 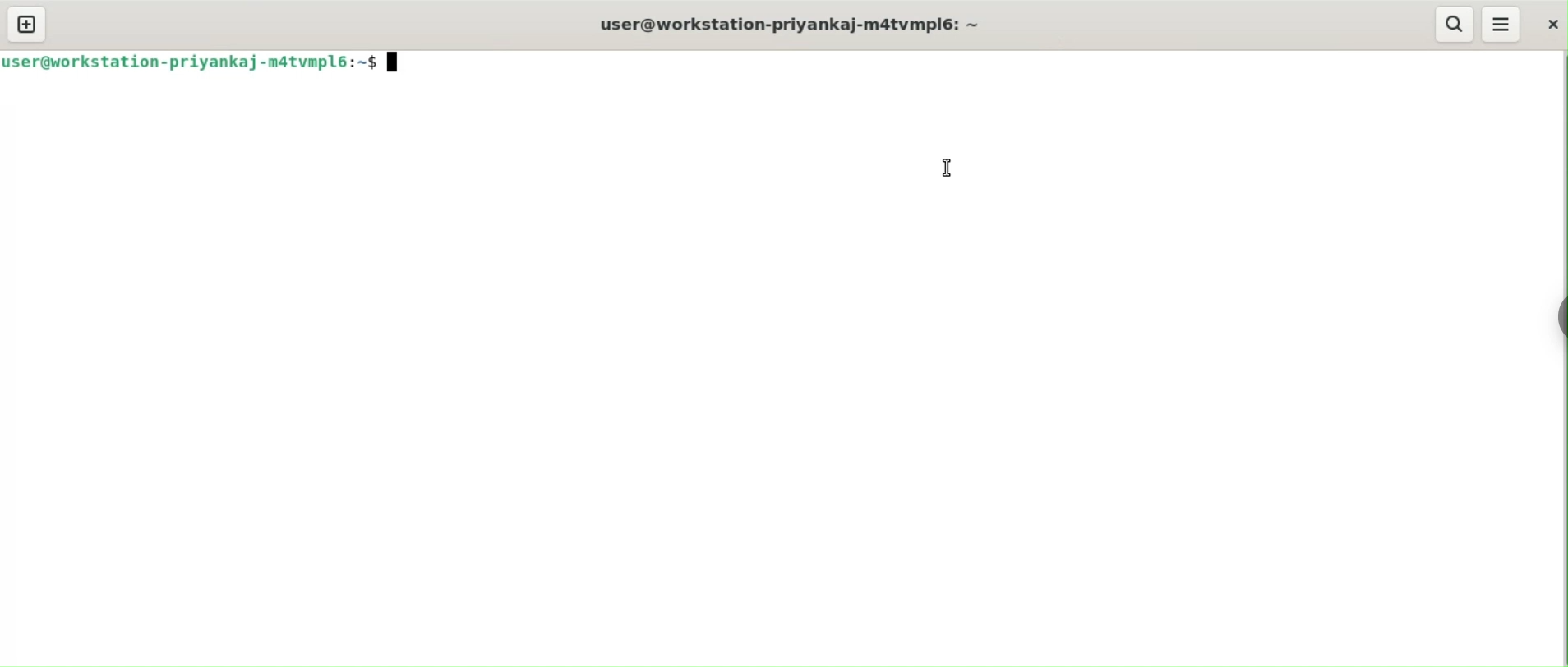 I want to click on user@workstation-priyankaj-m4tvmplé: ~, so click(x=800, y=32).